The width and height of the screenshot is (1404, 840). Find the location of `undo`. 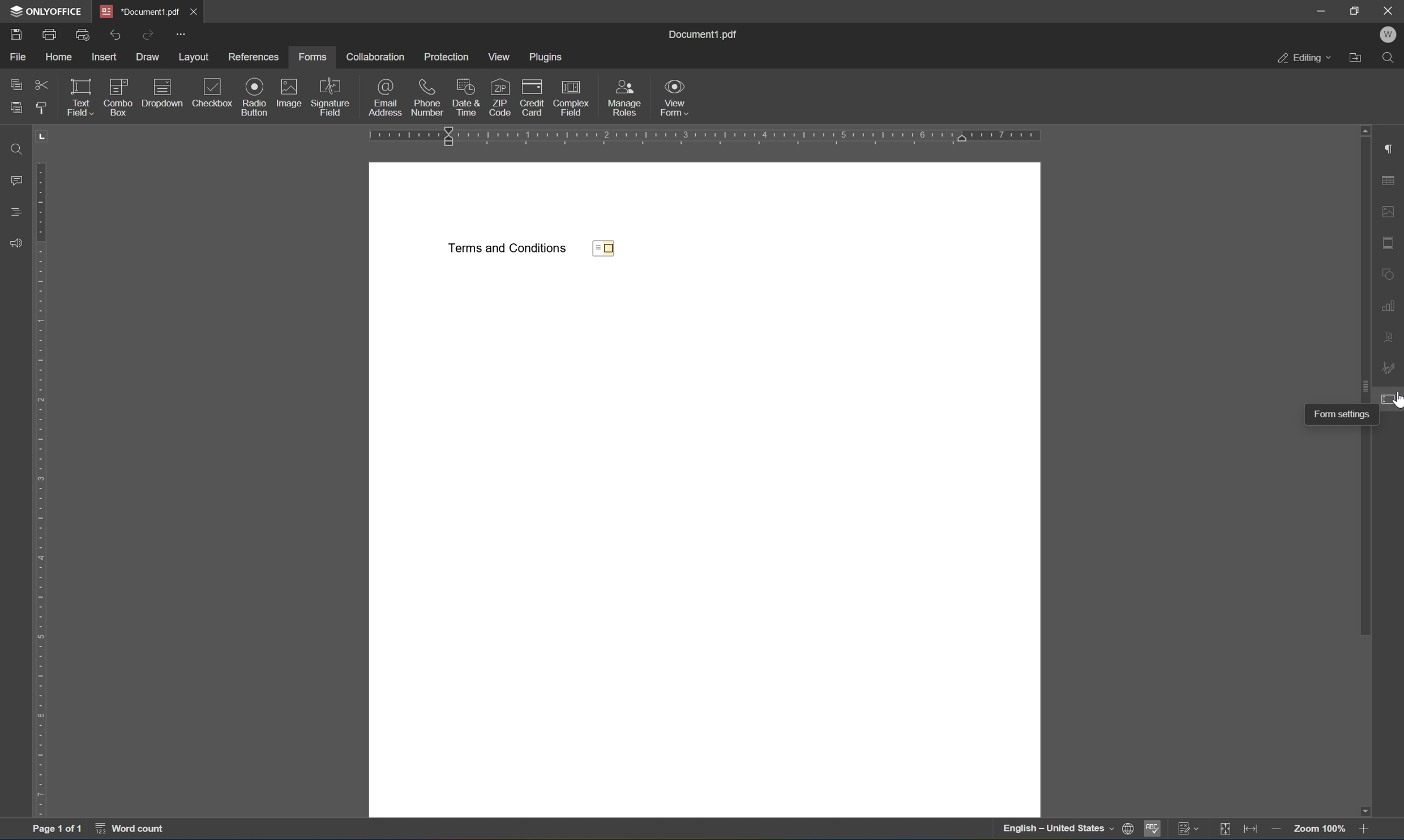

undo is located at coordinates (119, 36).